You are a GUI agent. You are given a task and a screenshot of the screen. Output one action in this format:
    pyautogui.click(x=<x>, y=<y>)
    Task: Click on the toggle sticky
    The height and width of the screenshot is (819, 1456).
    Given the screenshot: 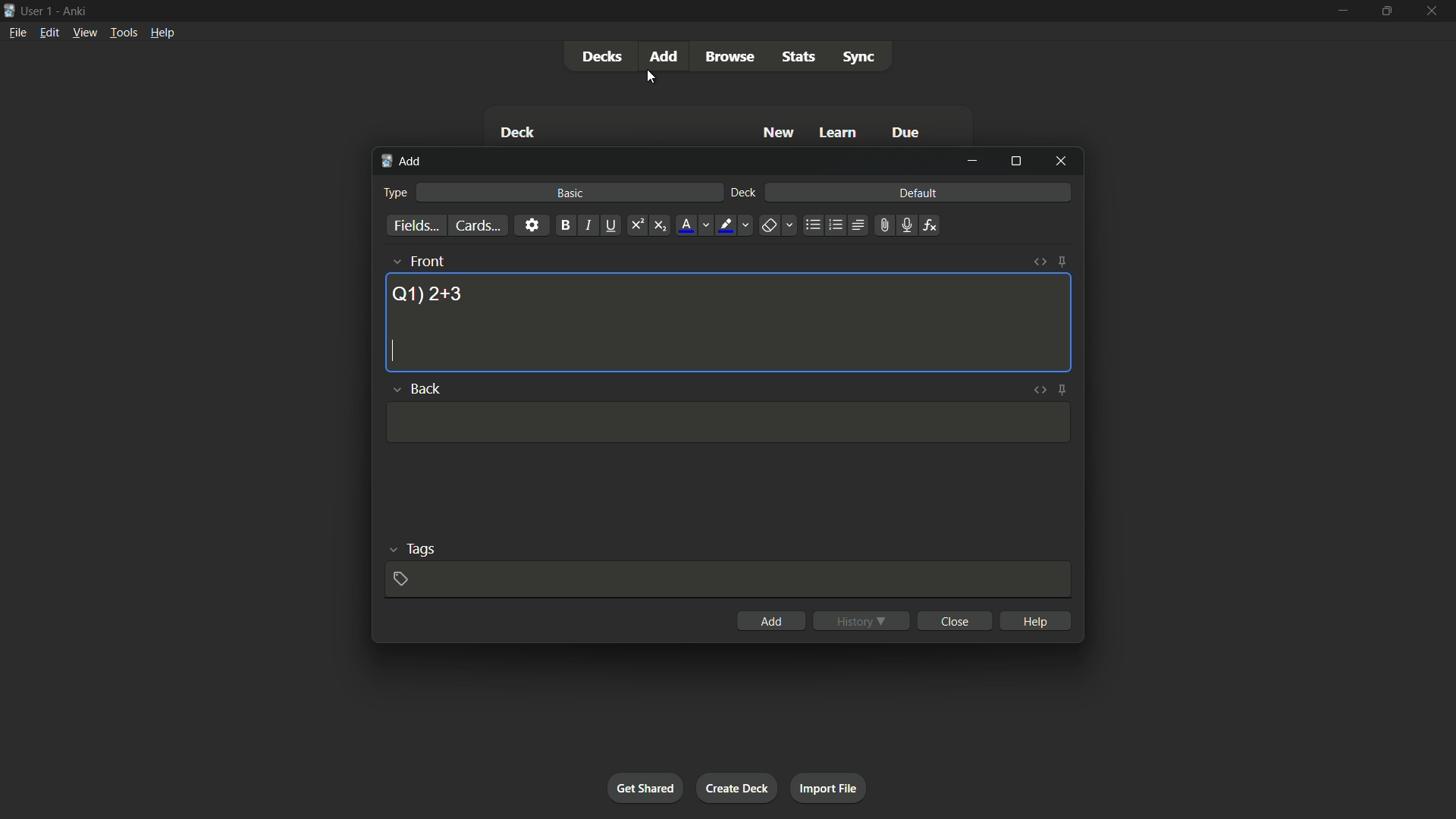 What is the action you would take?
    pyautogui.click(x=1062, y=262)
    